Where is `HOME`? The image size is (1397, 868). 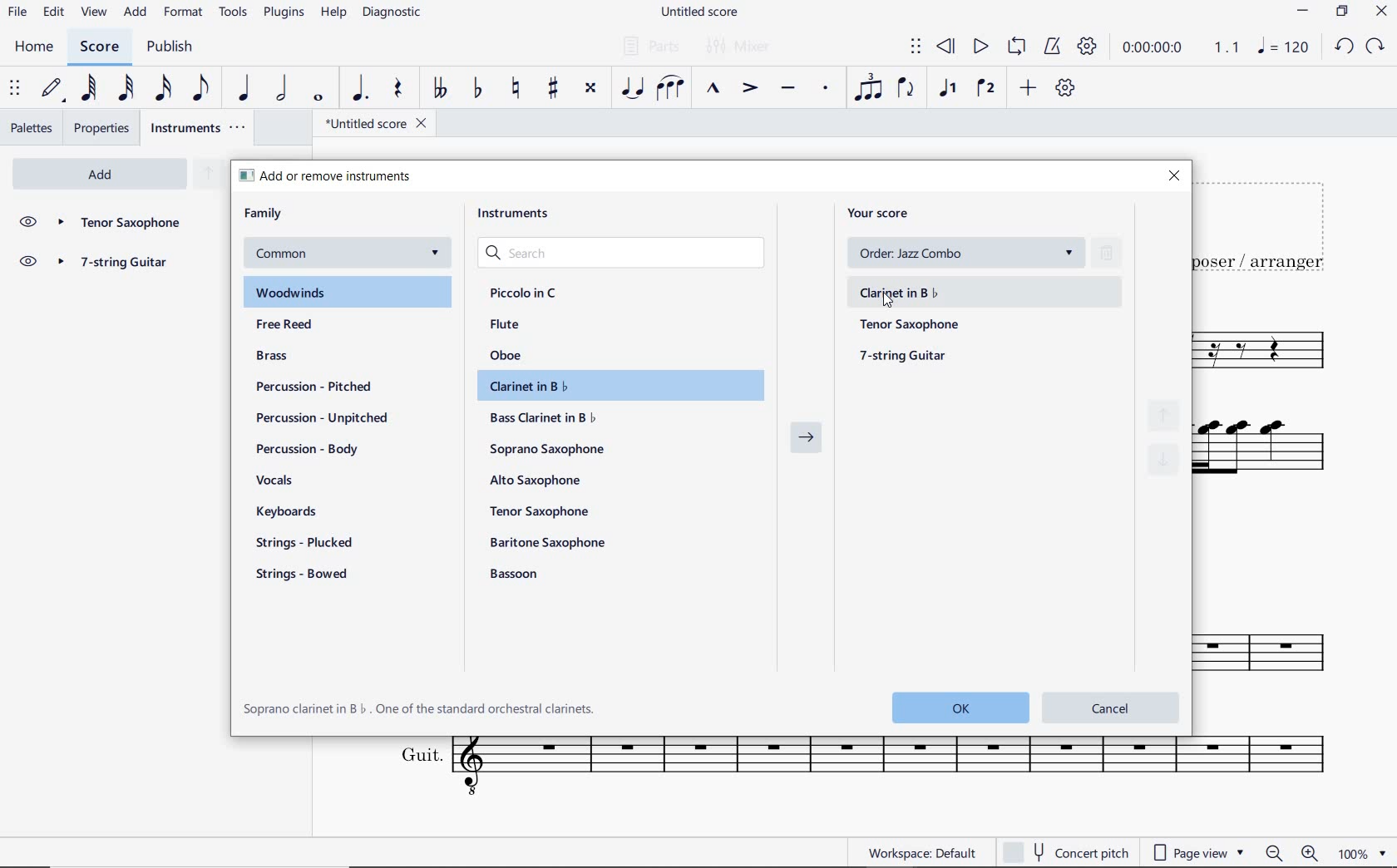
HOME is located at coordinates (35, 48).